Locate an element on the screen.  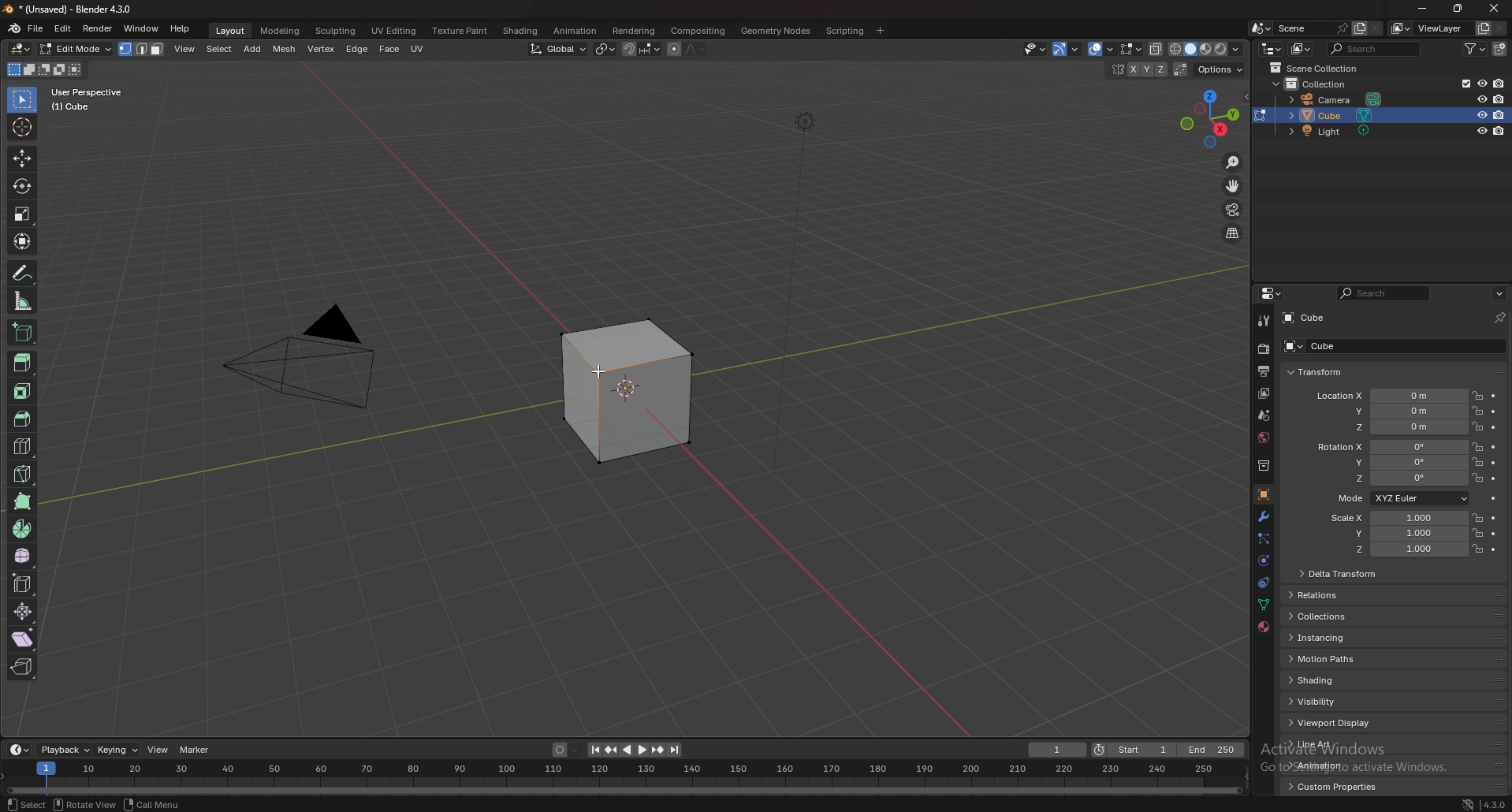
uv editing is located at coordinates (394, 31).